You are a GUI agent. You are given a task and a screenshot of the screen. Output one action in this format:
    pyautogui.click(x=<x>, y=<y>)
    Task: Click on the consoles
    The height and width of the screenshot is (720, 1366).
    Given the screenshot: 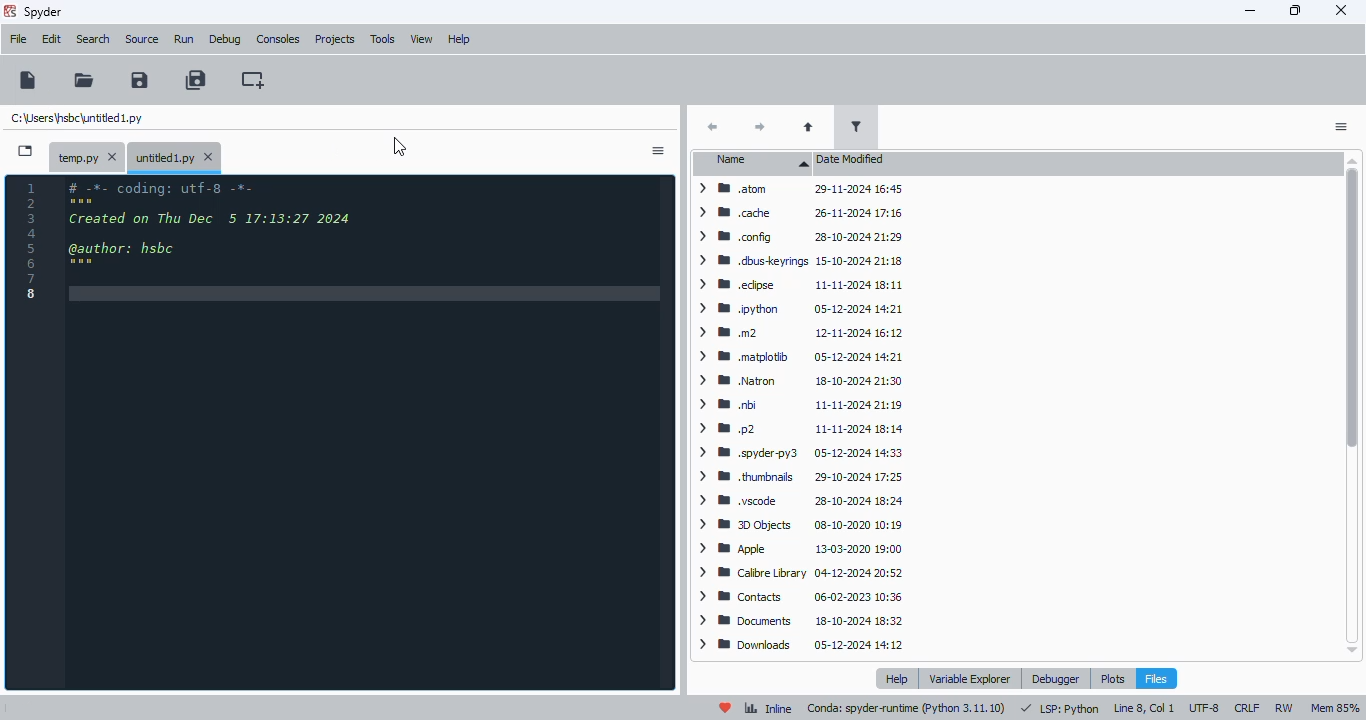 What is the action you would take?
    pyautogui.click(x=278, y=39)
    